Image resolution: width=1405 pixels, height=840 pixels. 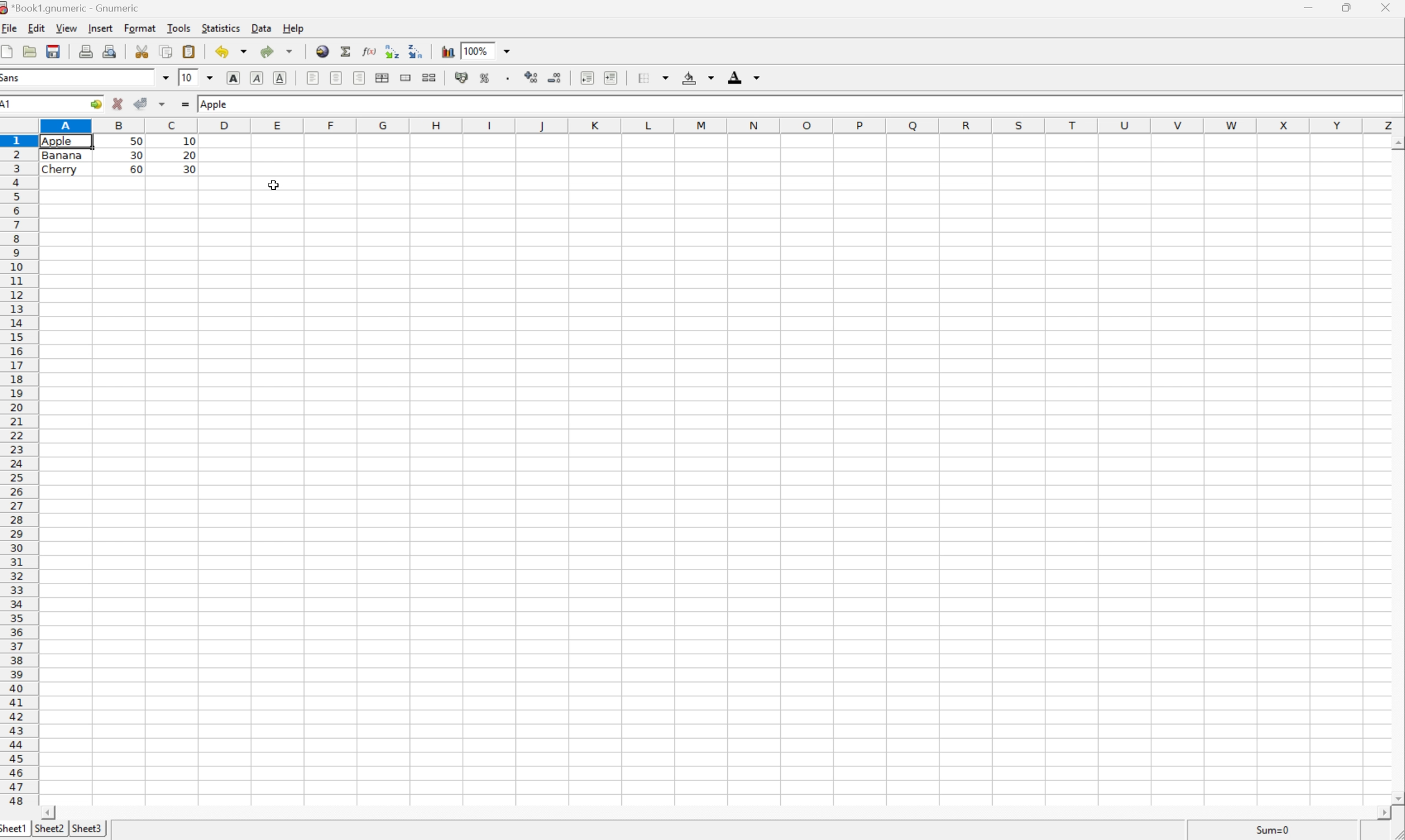 I want to click on go to, so click(x=96, y=104).